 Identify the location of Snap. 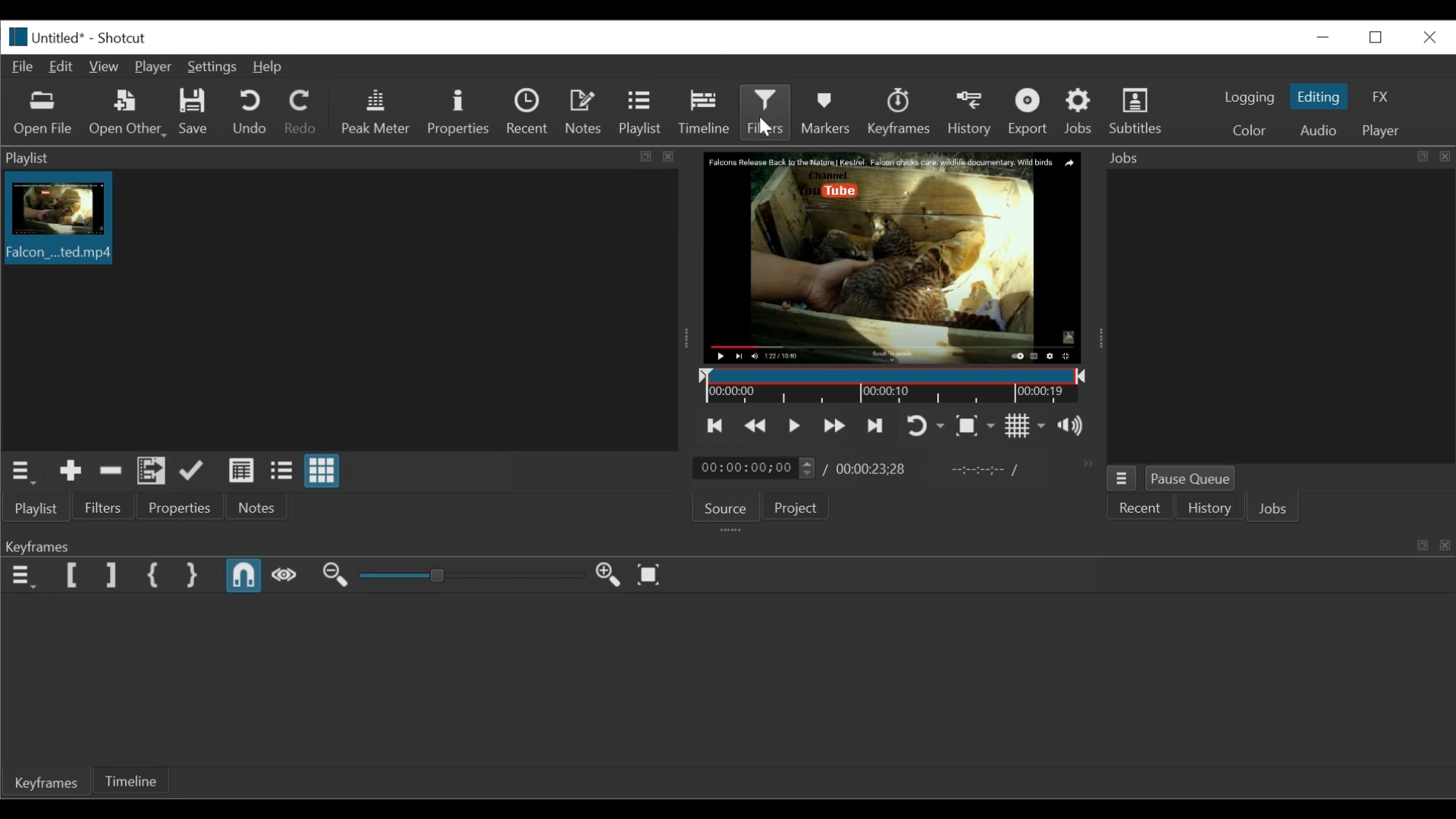
(245, 576).